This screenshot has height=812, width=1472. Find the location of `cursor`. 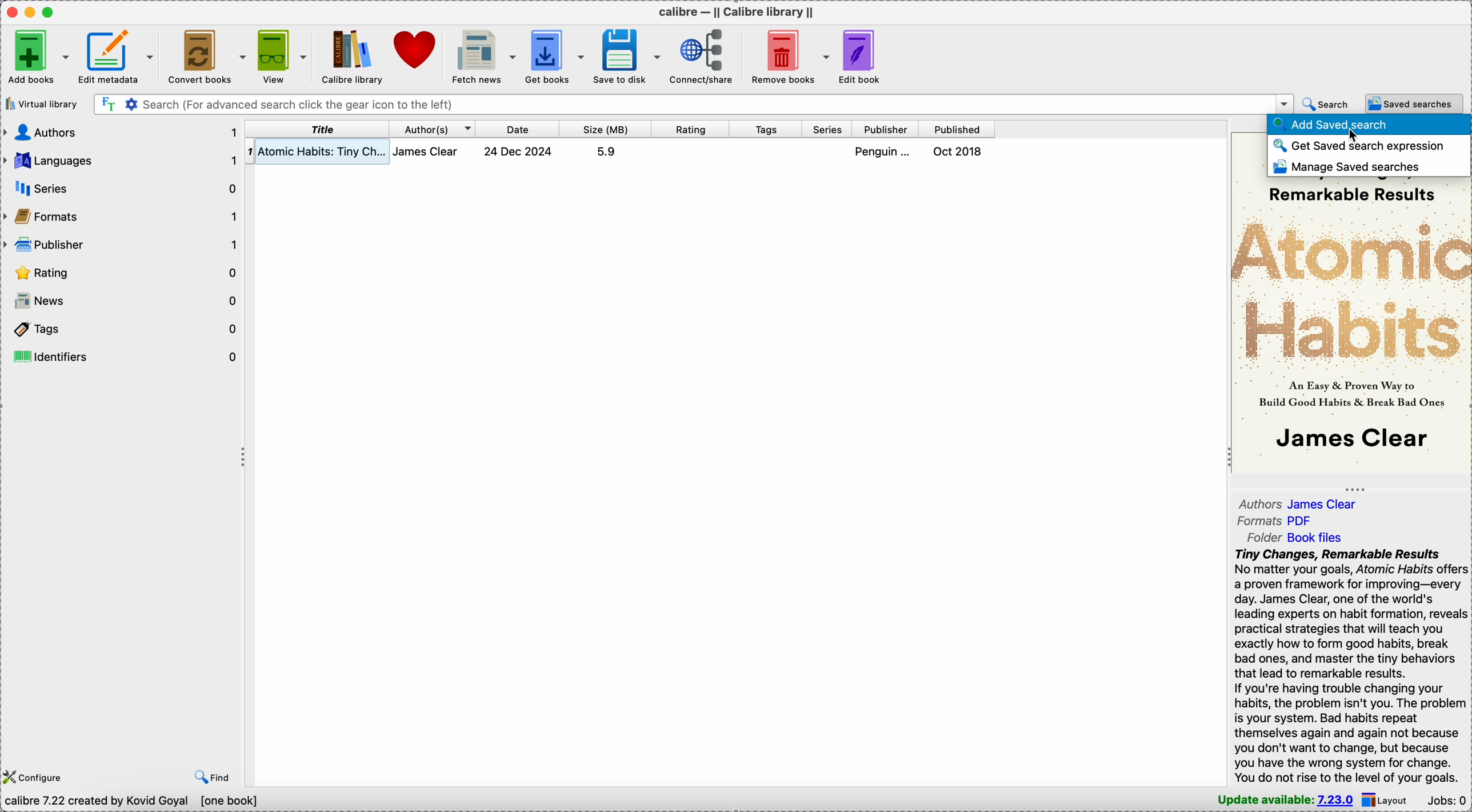

cursor is located at coordinates (1353, 134).